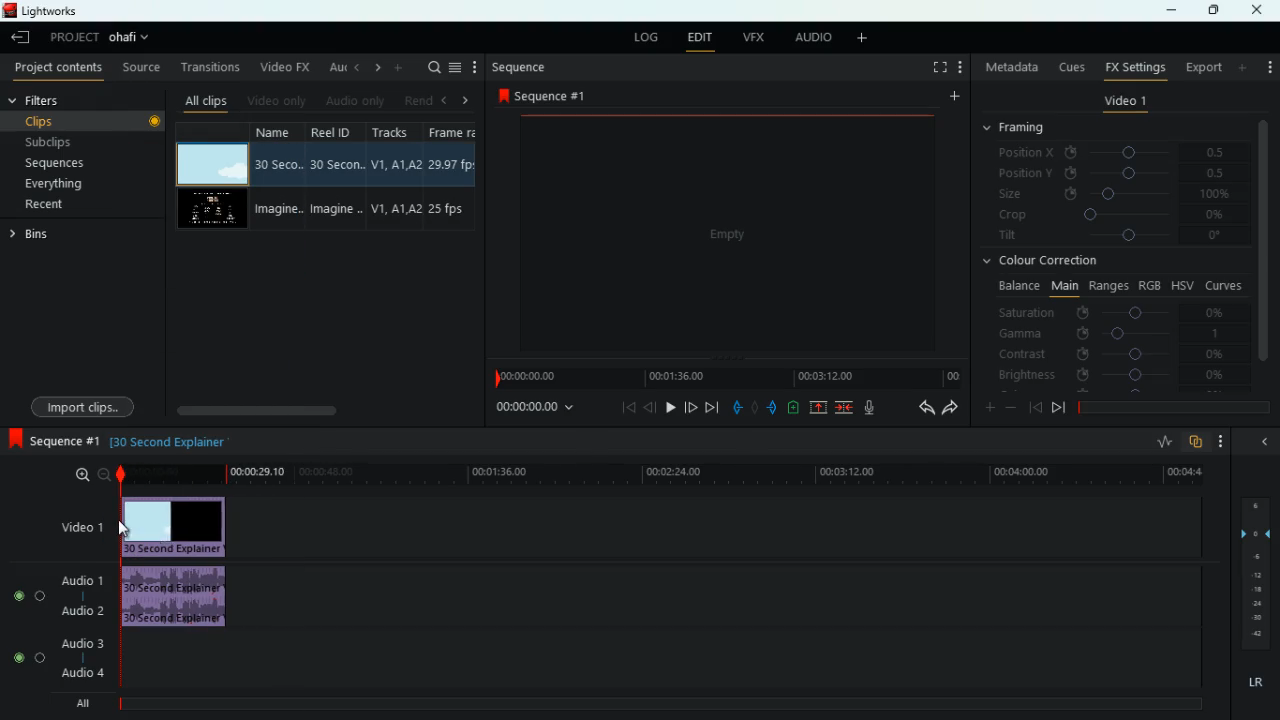  Describe the element at coordinates (82, 672) in the screenshot. I see `audio 4` at that location.